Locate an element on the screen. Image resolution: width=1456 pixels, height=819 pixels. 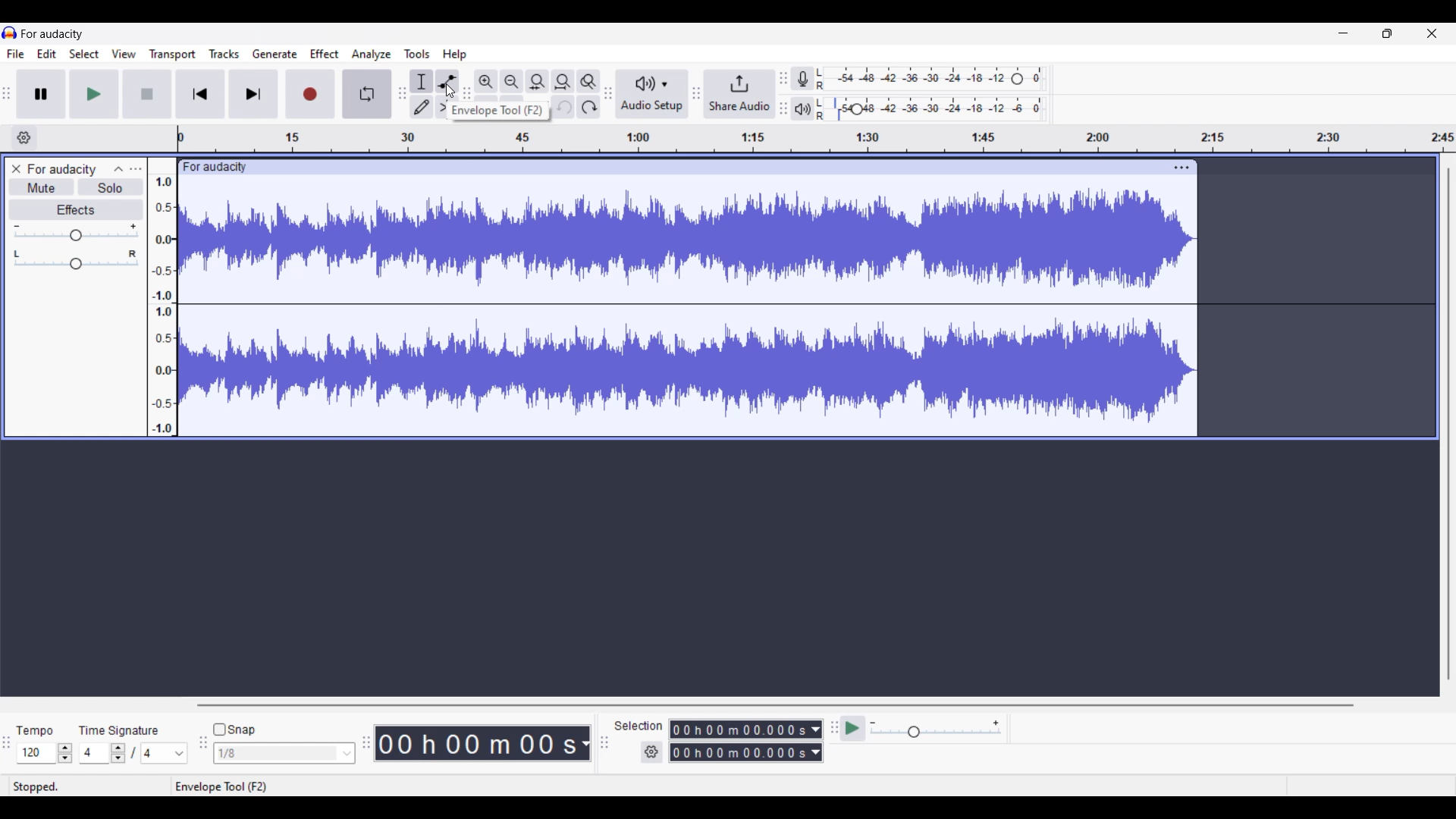
amplitude is located at coordinates (163, 305).